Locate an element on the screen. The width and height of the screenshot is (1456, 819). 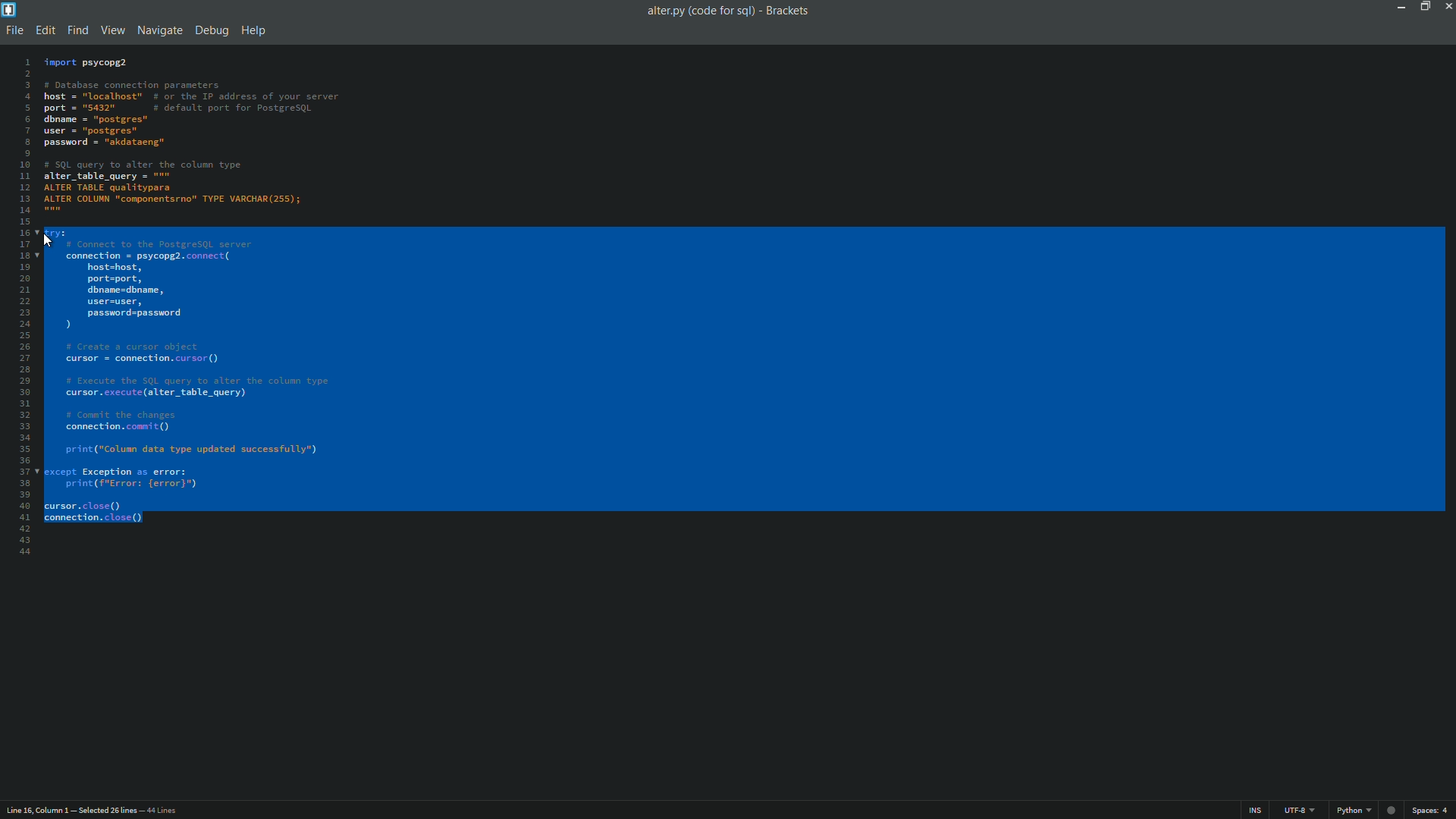
number of lines is located at coordinates (135, 812).